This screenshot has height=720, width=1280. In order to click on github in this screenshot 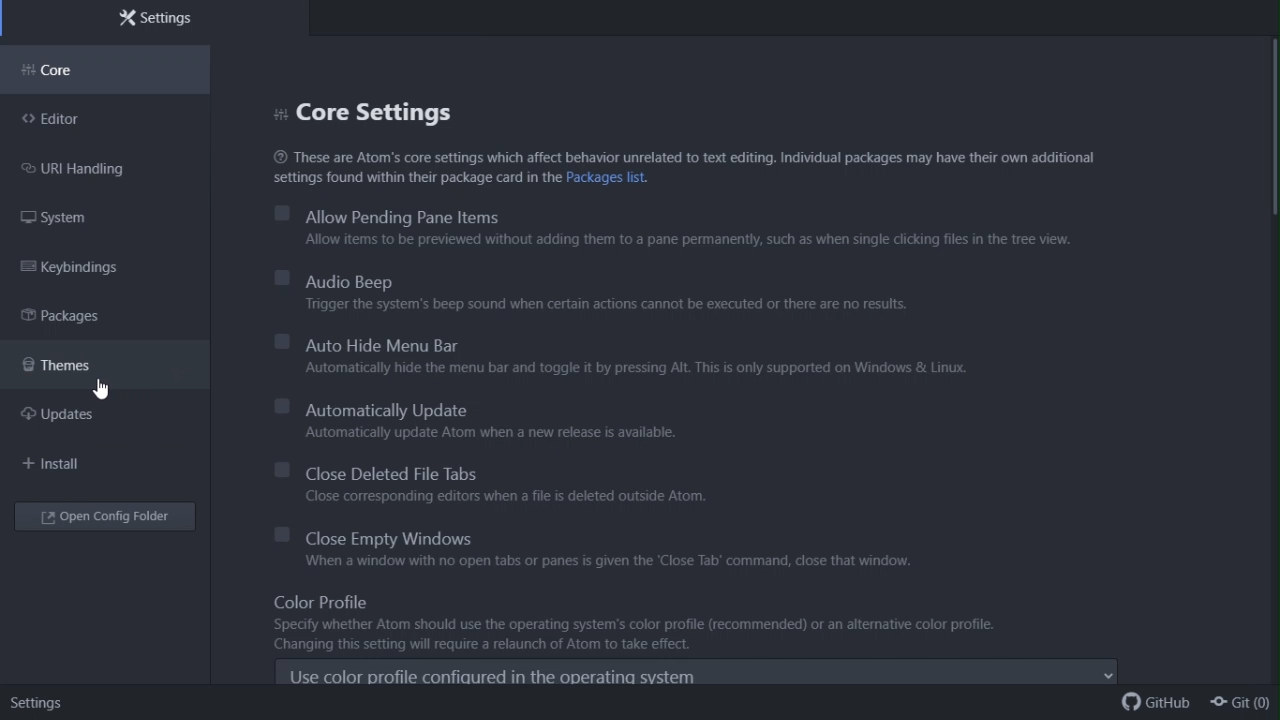, I will do `click(1148, 706)`.